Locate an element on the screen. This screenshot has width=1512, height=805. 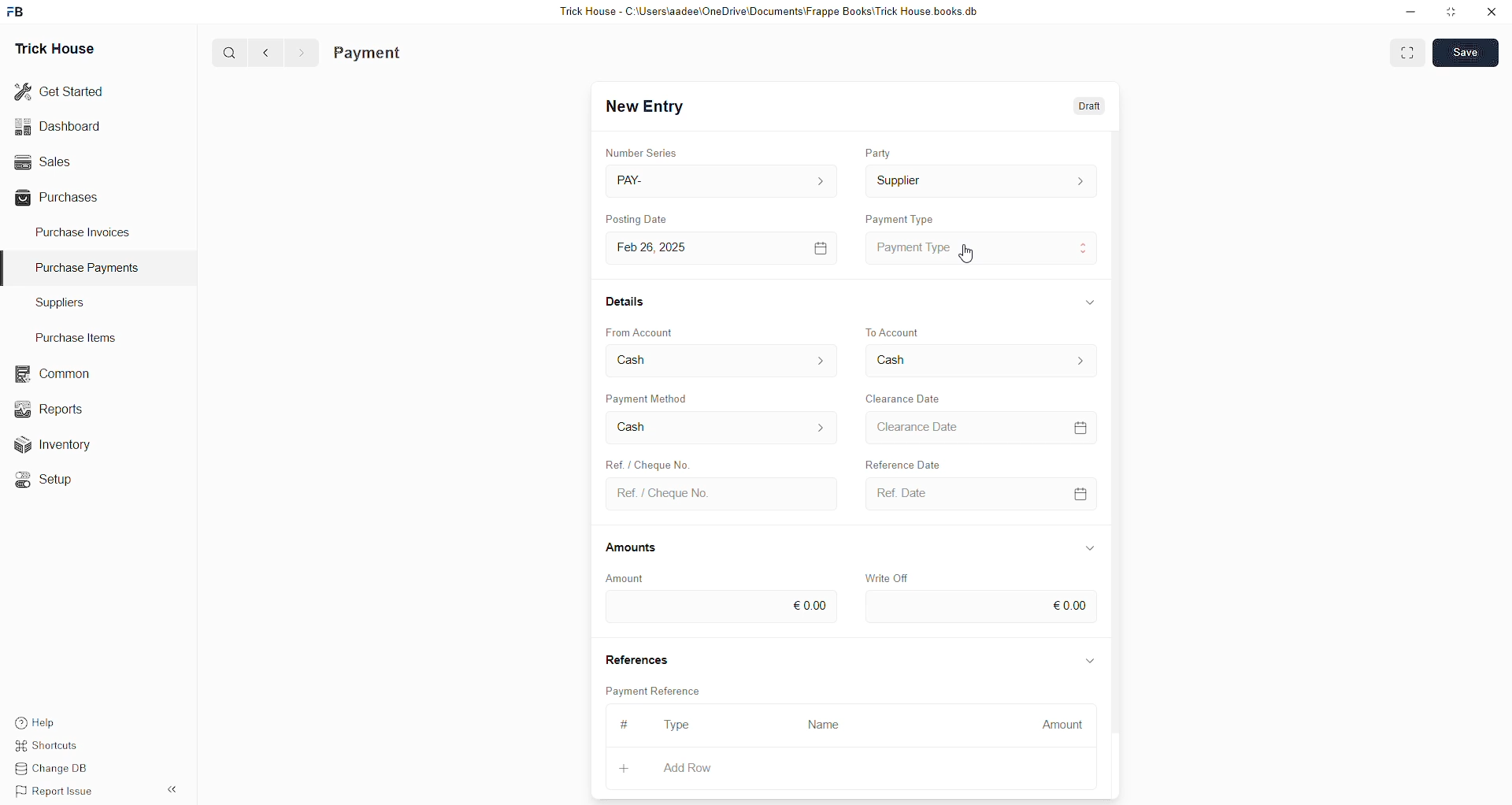
Setup is located at coordinates (43, 478).